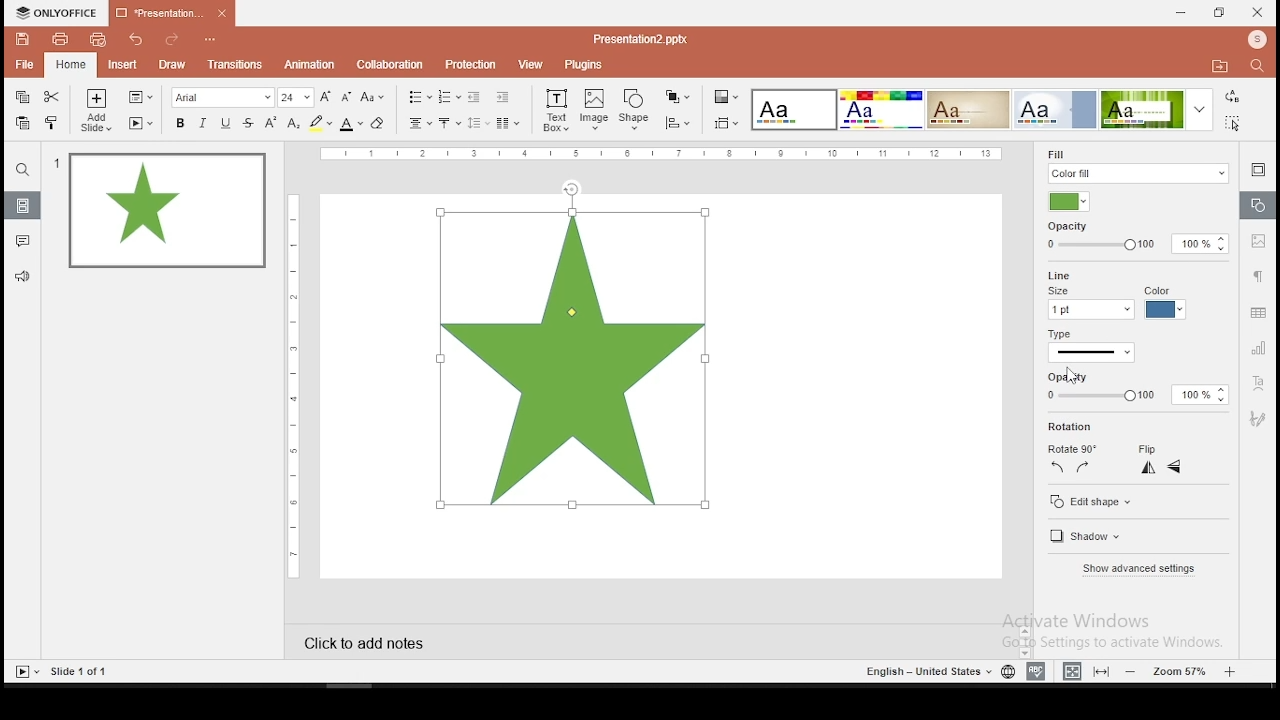 The image size is (1280, 720). Describe the element at coordinates (1066, 427) in the screenshot. I see `rotation` at that location.